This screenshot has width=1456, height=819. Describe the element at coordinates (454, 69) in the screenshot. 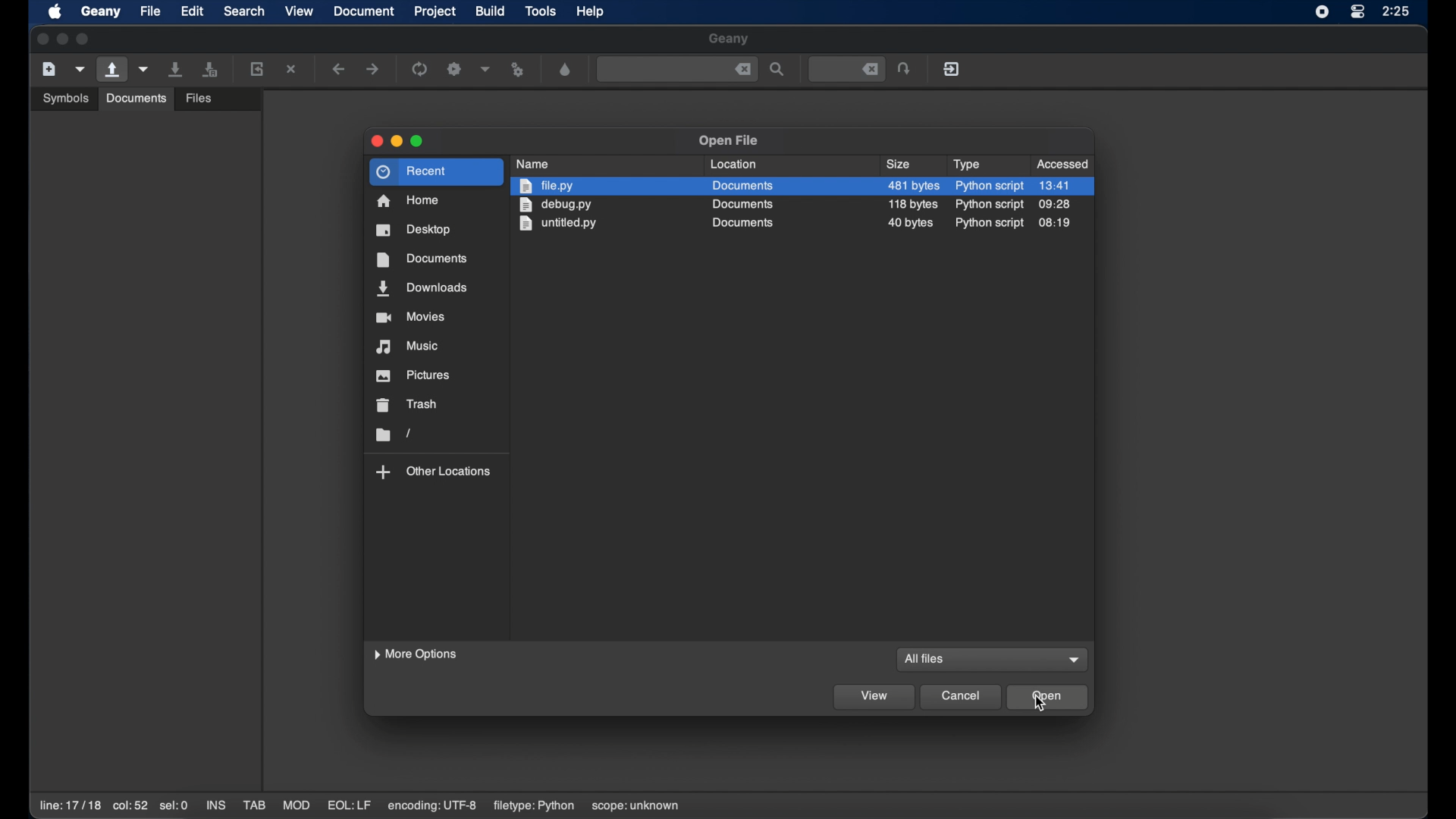

I see `build the current file` at that location.